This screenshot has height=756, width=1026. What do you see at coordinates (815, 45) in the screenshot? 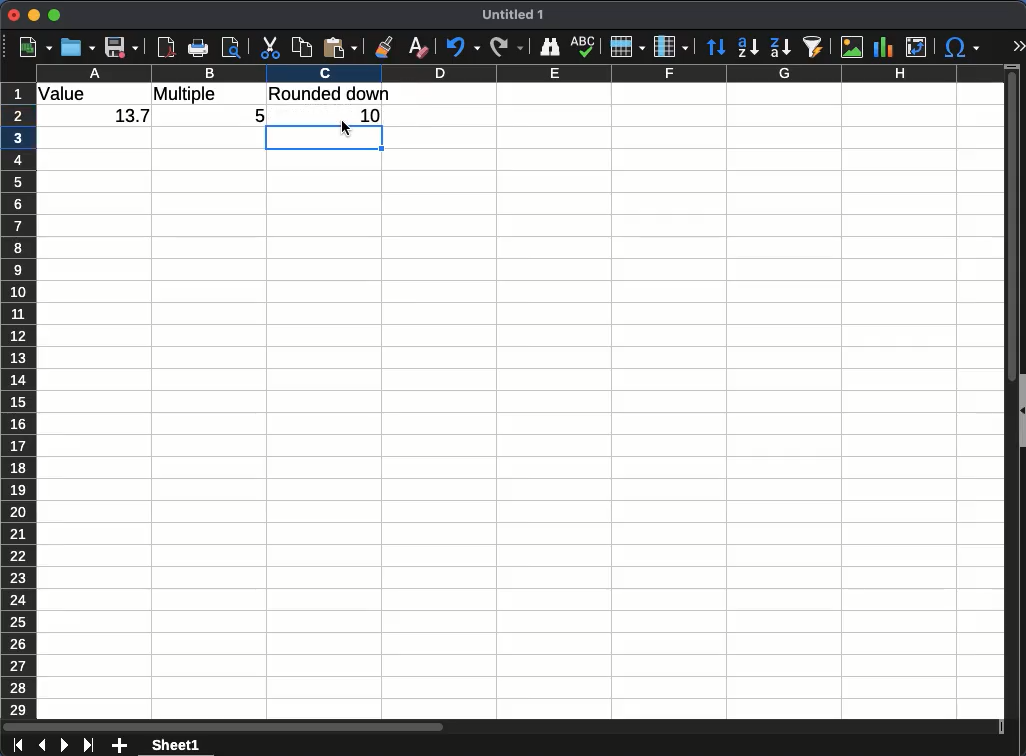
I see `filter` at bounding box center [815, 45].